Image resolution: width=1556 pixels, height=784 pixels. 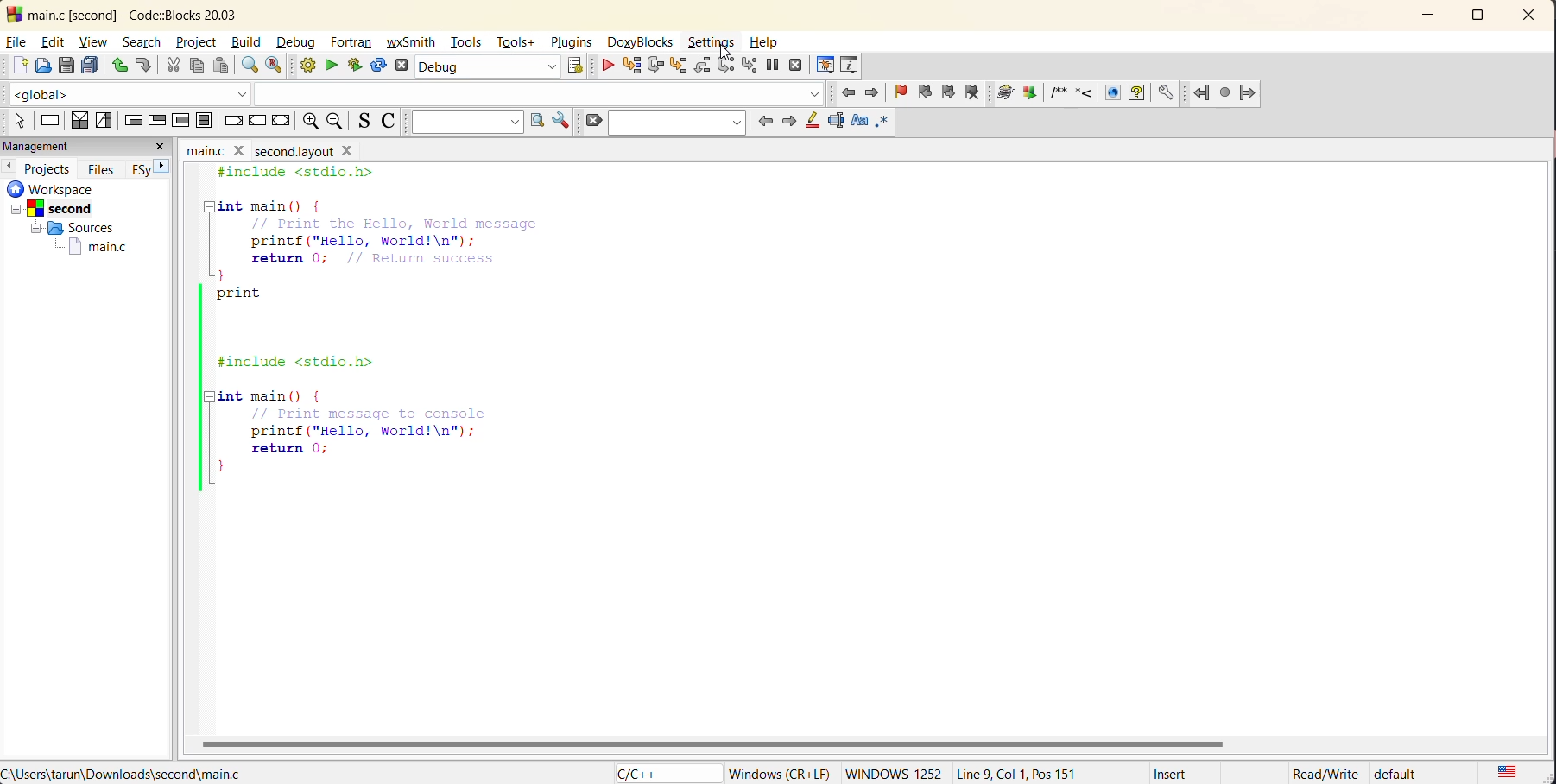 What do you see at coordinates (247, 66) in the screenshot?
I see `find` at bounding box center [247, 66].